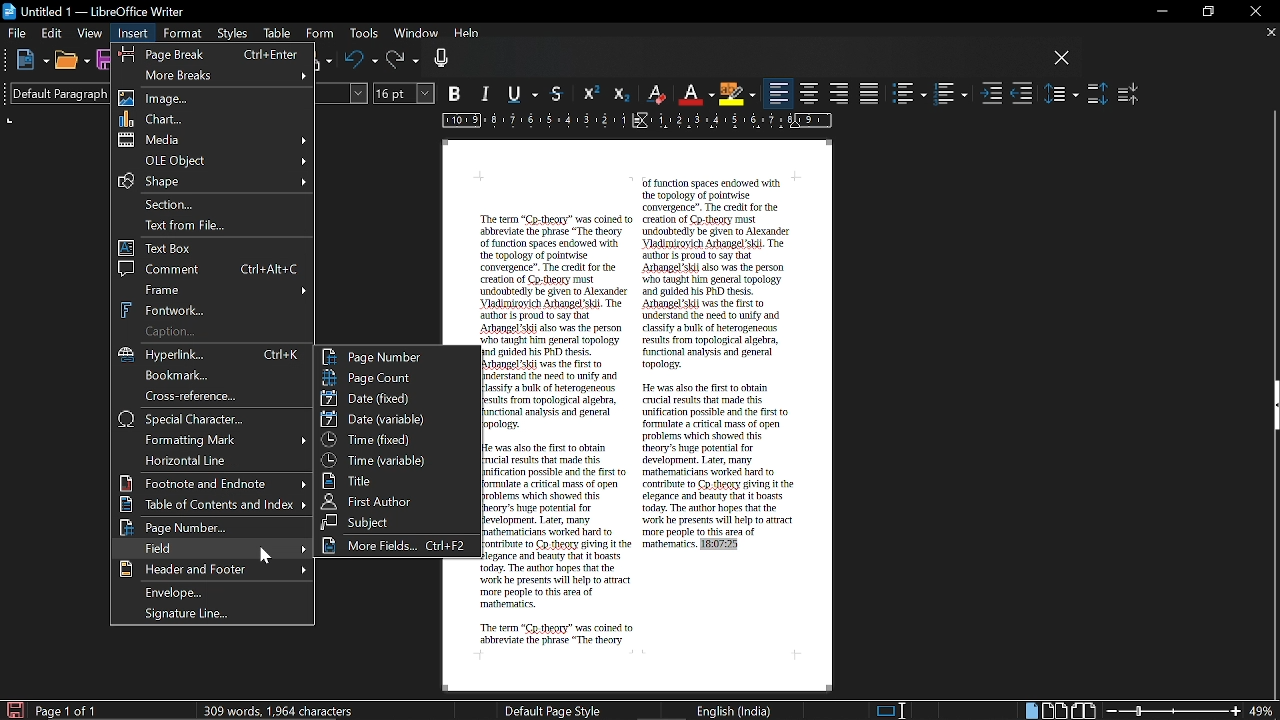 The image size is (1280, 720). I want to click on Highlight, so click(736, 93).